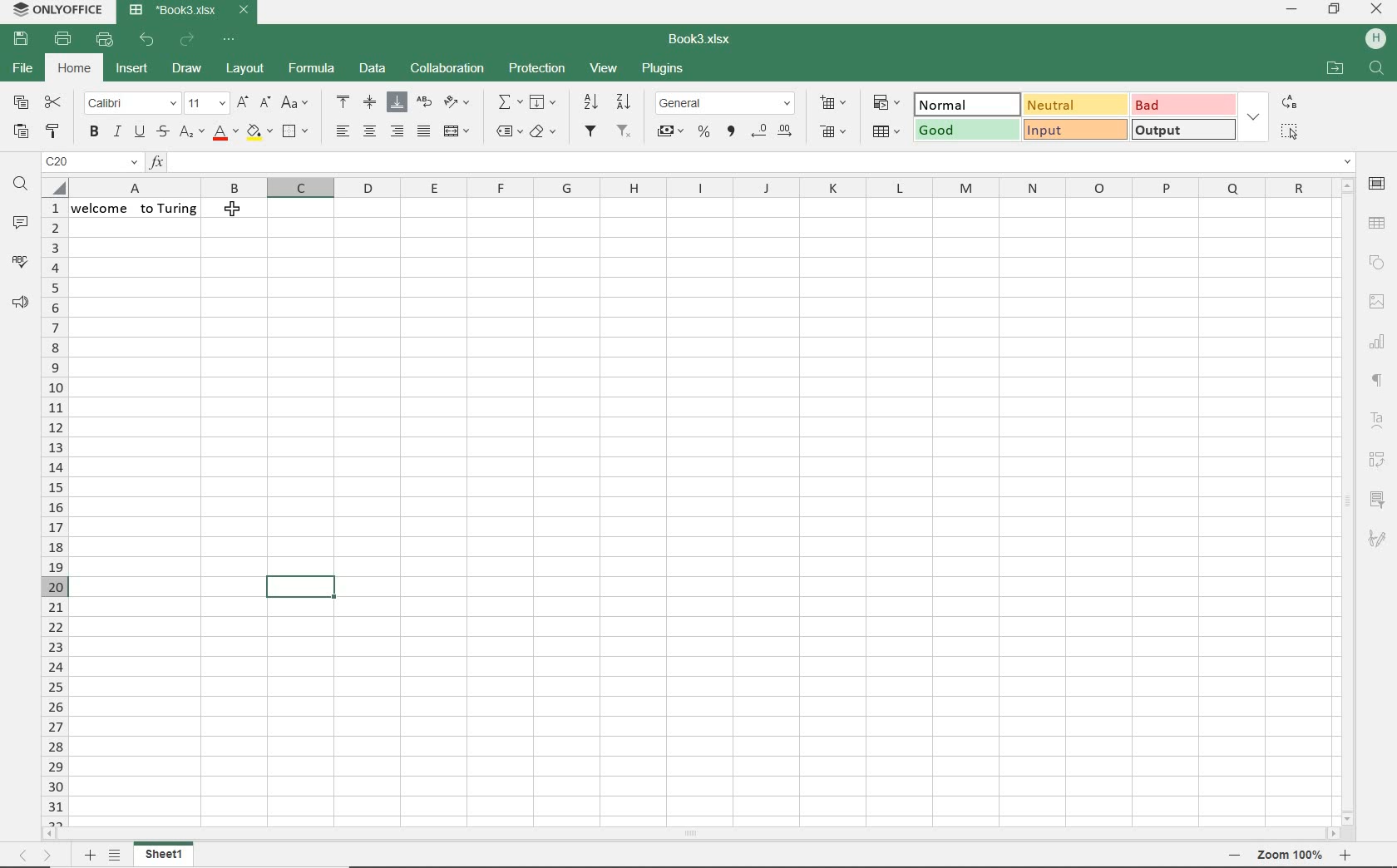  What do you see at coordinates (54, 102) in the screenshot?
I see `cut` at bounding box center [54, 102].